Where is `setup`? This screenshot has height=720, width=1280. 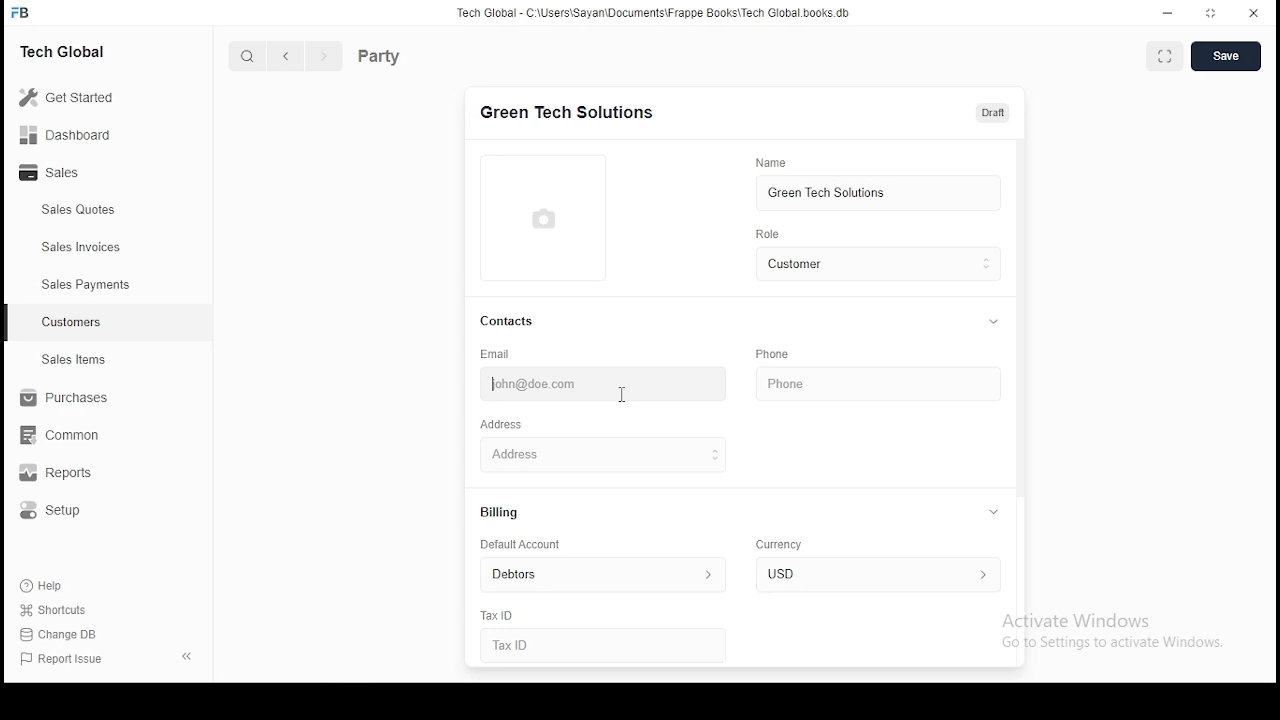 setup is located at coordinates (58, 513).